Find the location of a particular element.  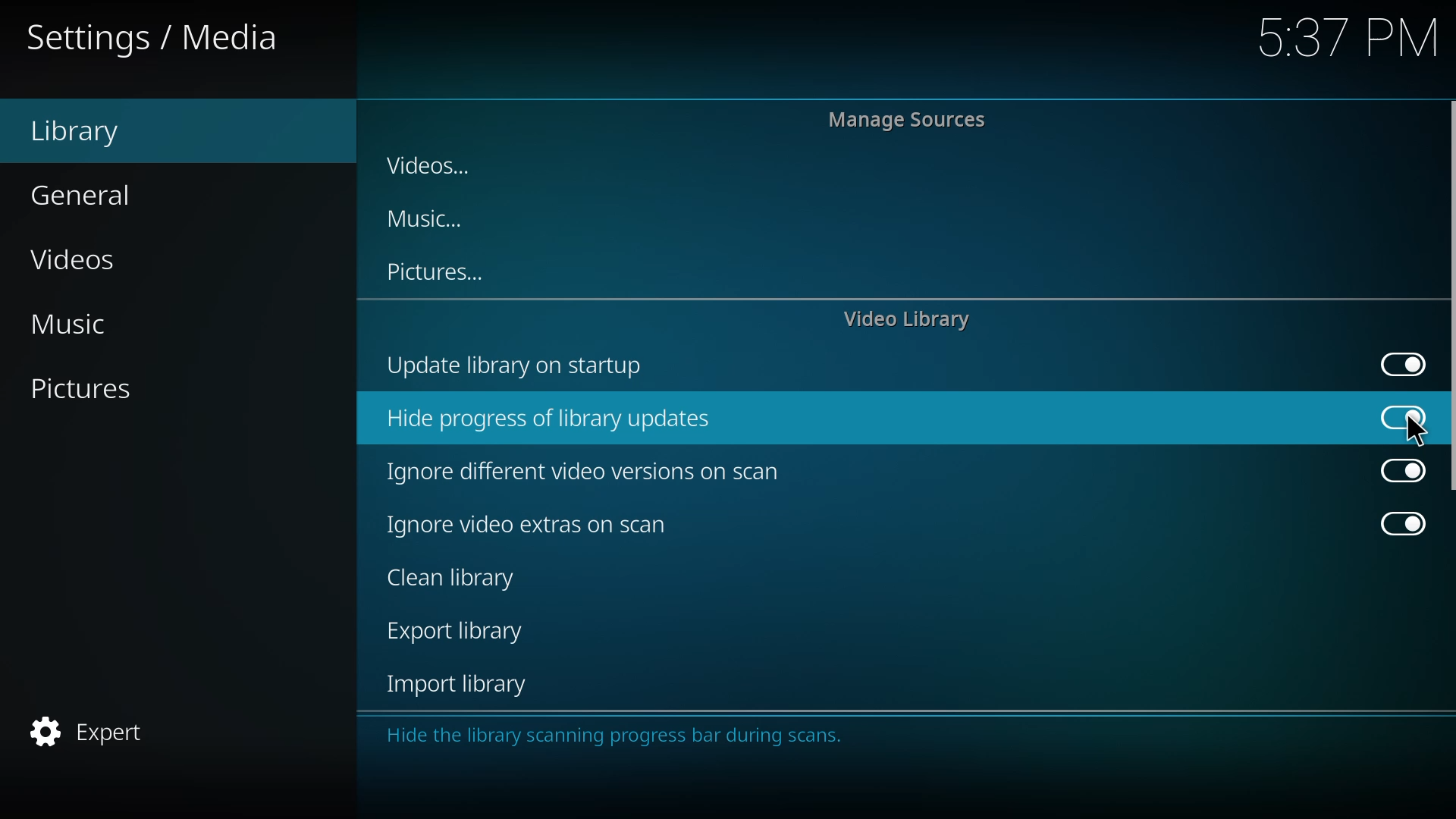

ignore different video versions on scan is located at coordinates (589, 472).